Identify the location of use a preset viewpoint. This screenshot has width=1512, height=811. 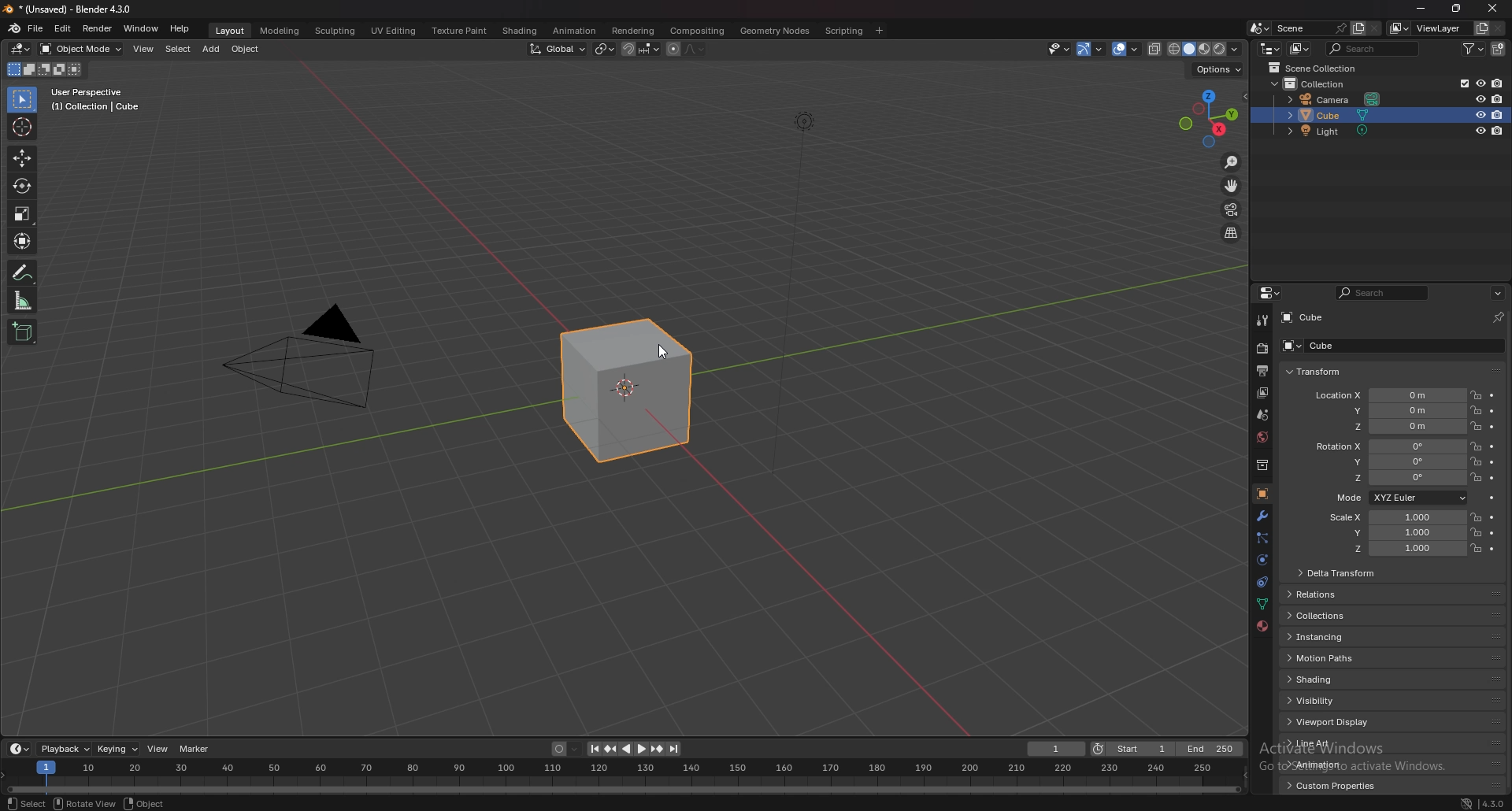
(1209, 118).